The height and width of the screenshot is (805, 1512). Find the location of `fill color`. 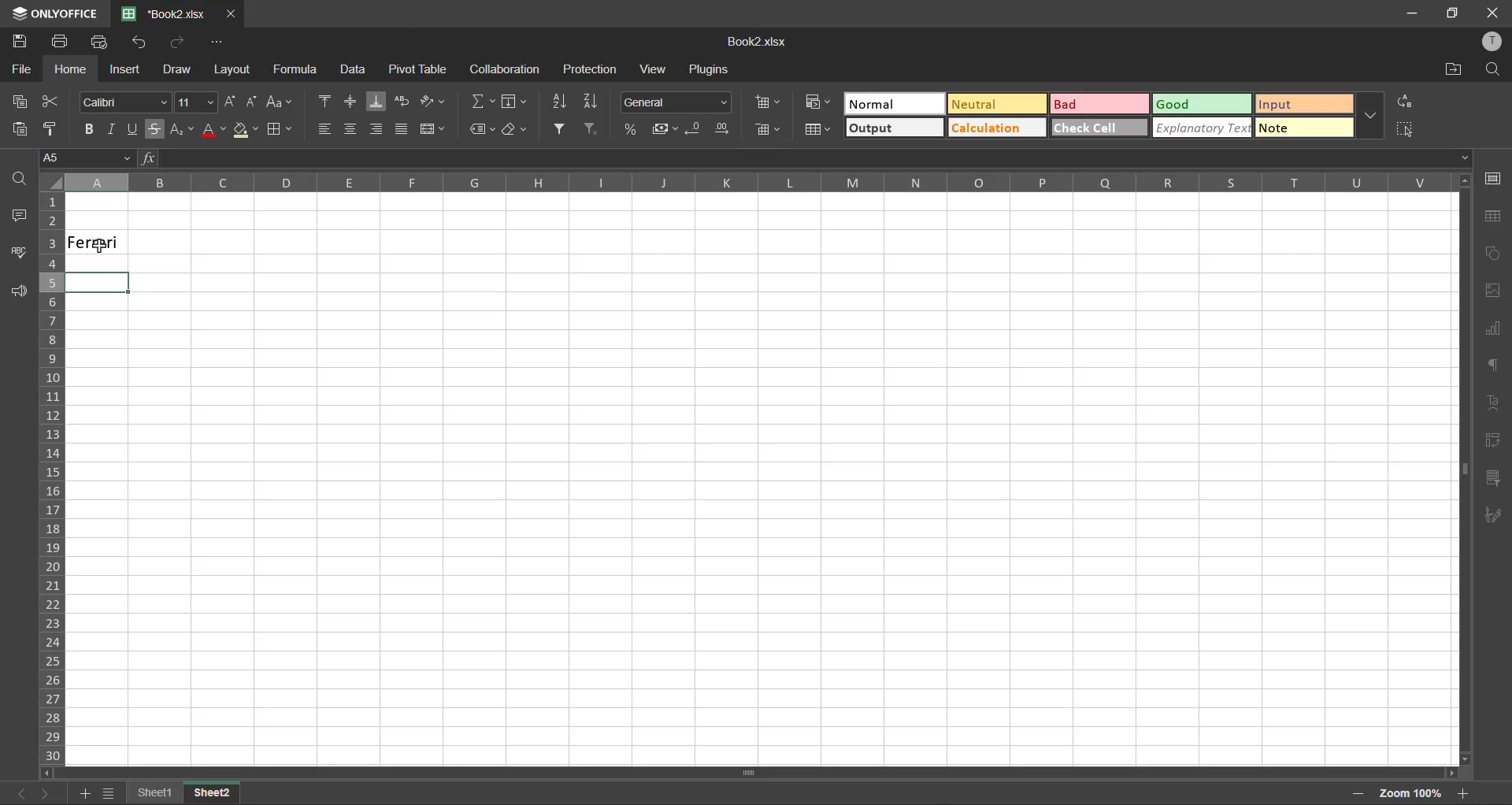

fill color is located at coordinates (246, 129).